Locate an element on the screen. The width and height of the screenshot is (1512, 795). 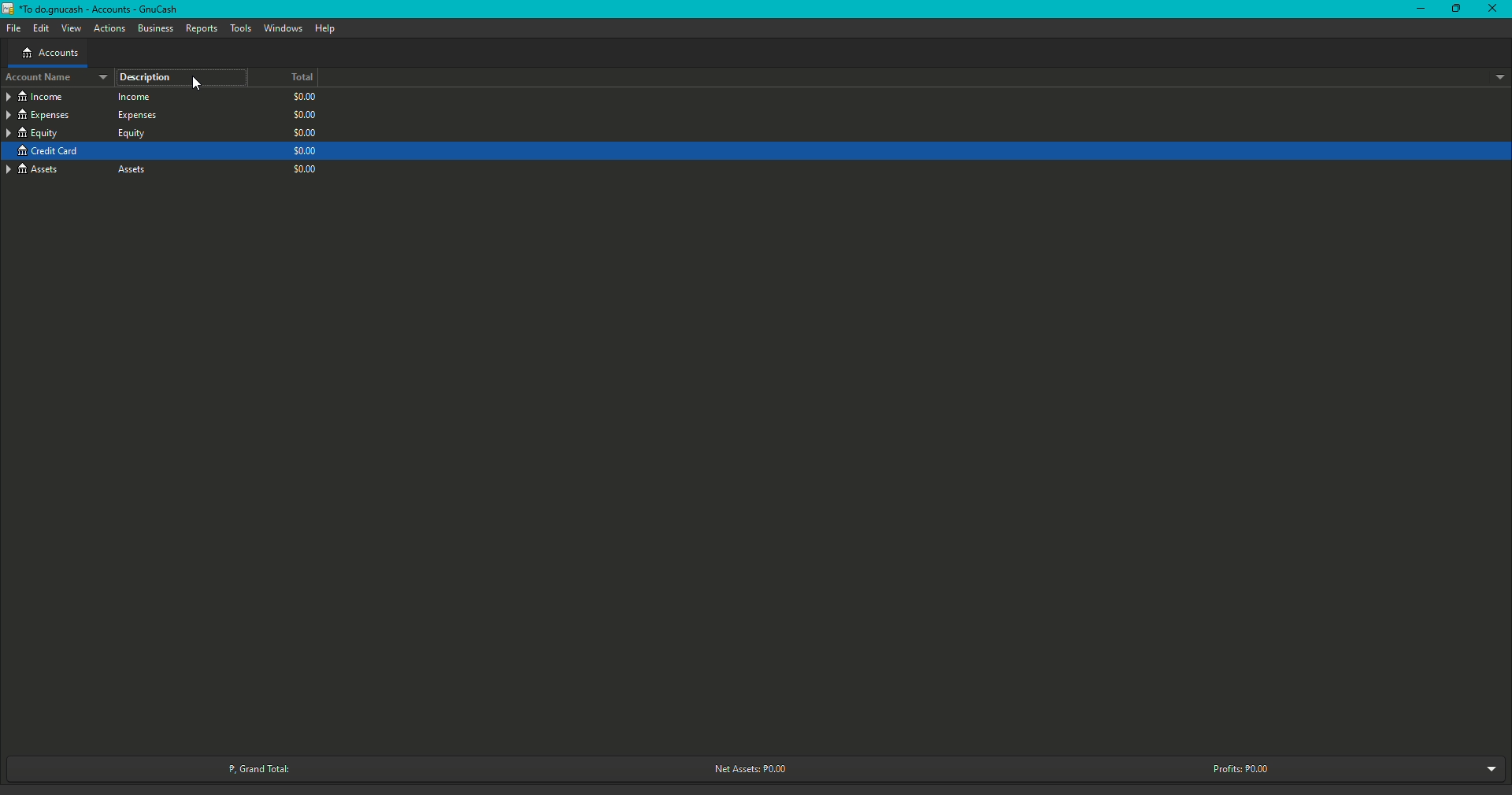
Net Assets is located at coordinates (753, 769).